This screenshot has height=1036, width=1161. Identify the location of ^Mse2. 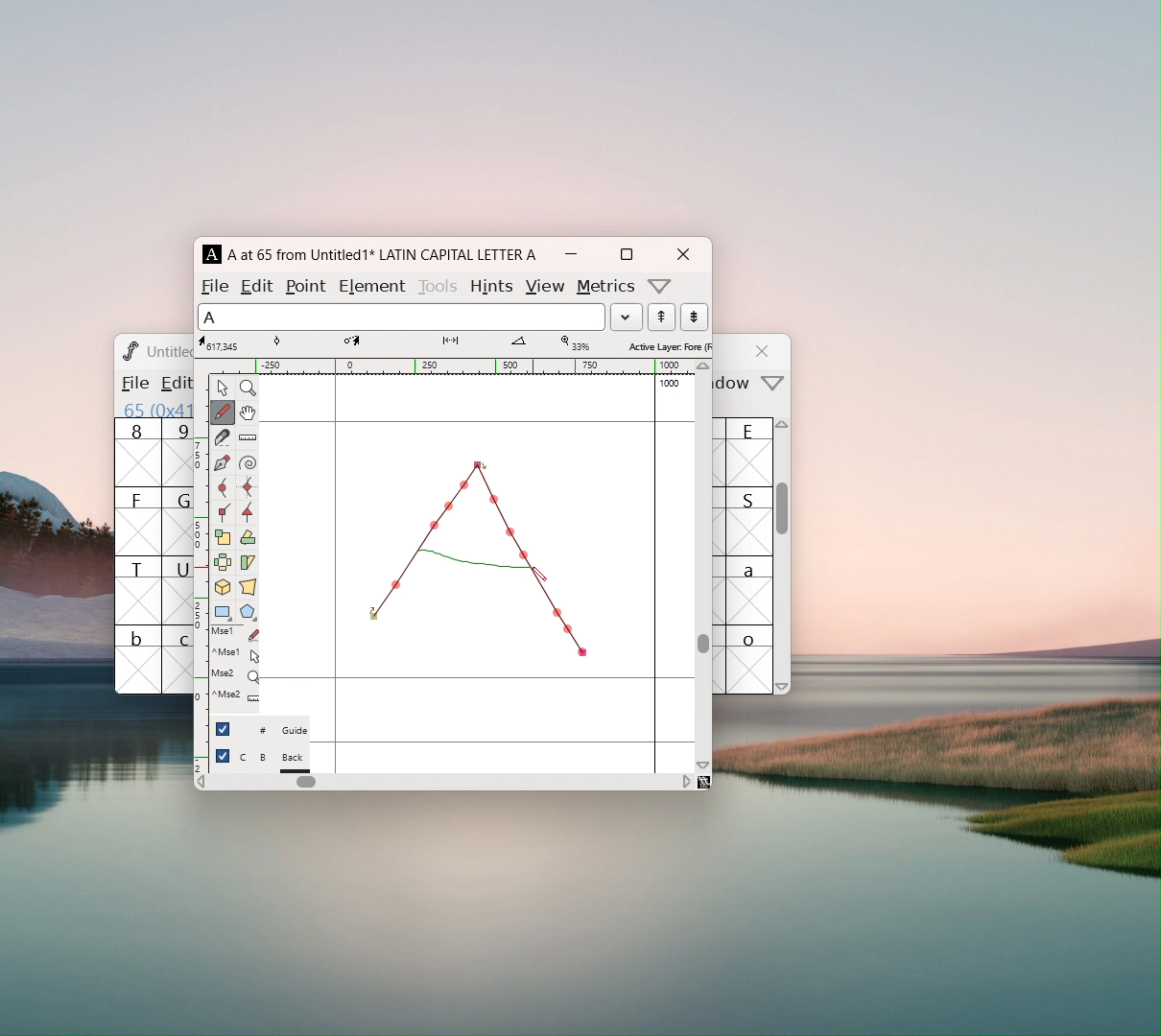
(235, 695).